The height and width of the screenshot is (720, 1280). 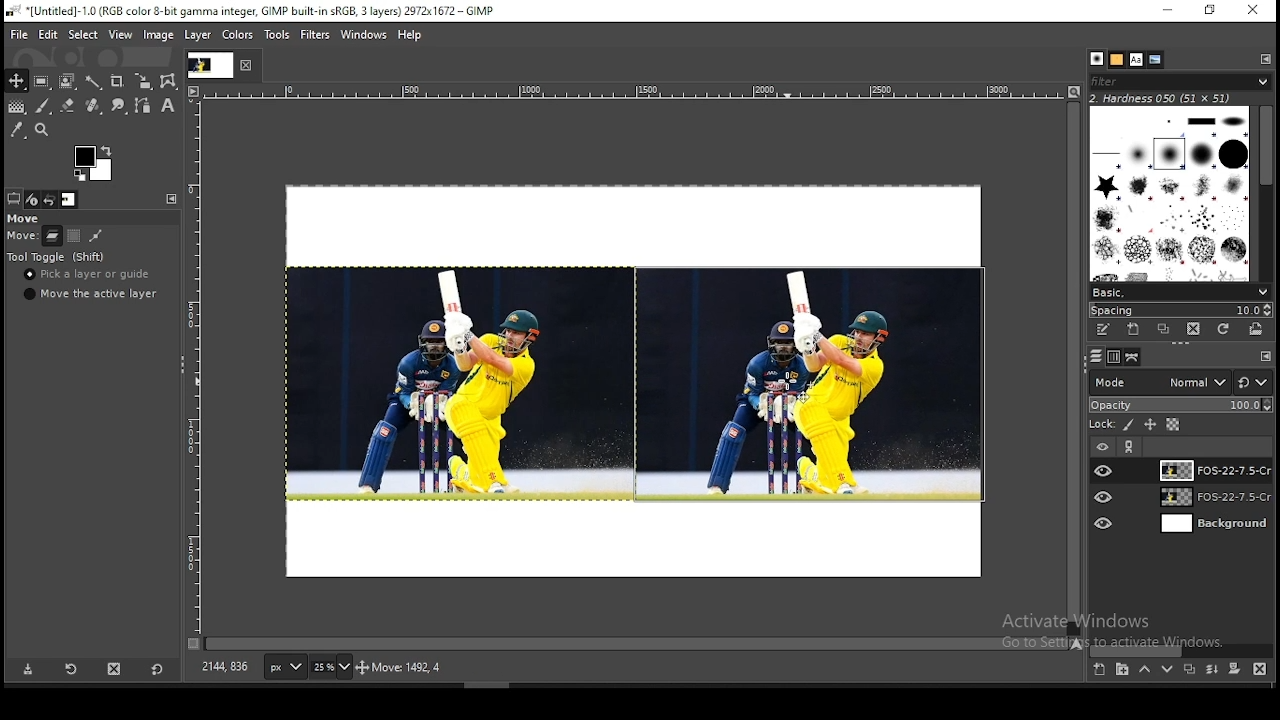 What do you see at coordinates (1101, 445) in the screenshot?
I see `layer visibility on/off` at bounding box center [1101, 445].